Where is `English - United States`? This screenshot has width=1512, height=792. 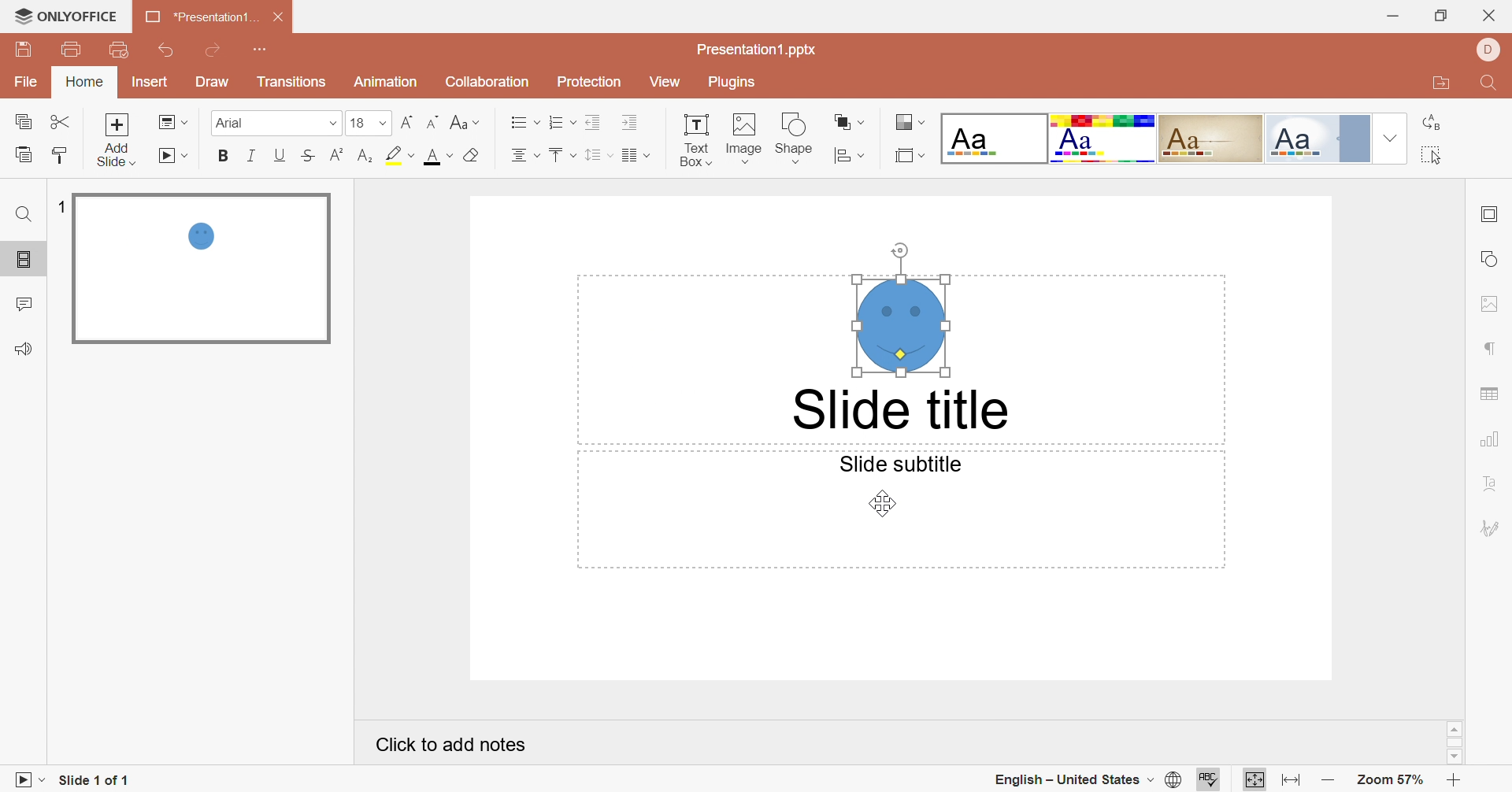 English - United States is located at coordinates (1073, 779).